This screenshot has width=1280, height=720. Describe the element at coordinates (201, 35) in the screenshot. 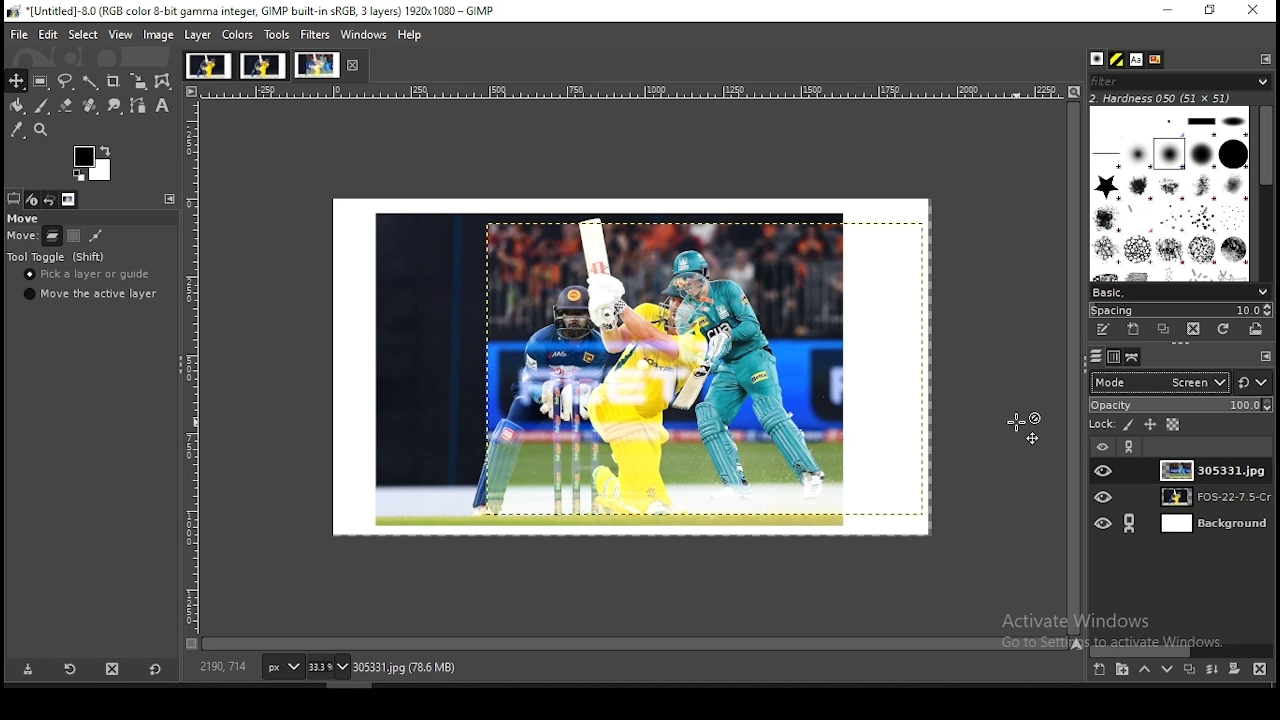

I see `layer` at that location.